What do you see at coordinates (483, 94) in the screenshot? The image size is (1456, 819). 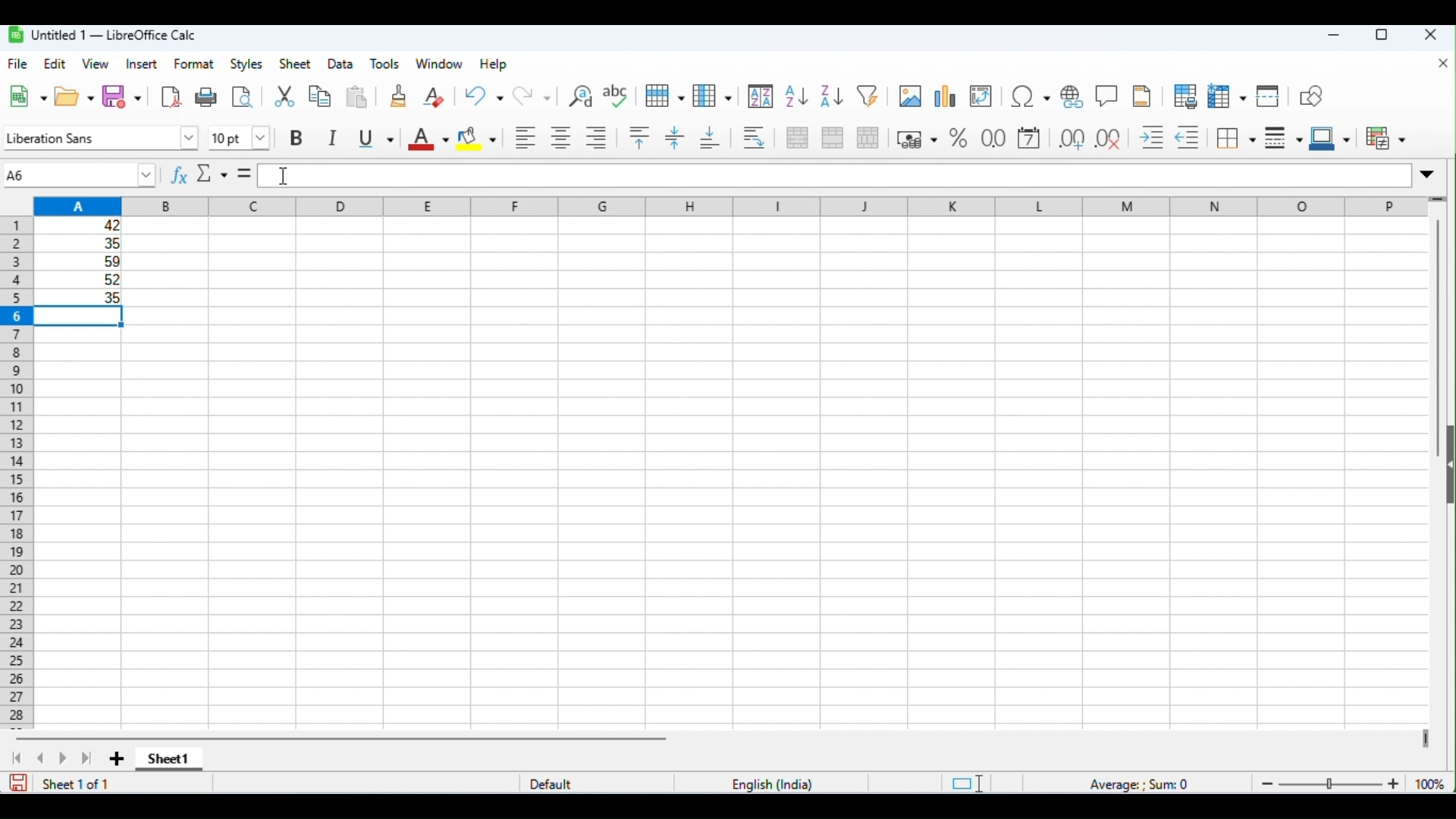 I see `undo` at bounding box center [483, 94].